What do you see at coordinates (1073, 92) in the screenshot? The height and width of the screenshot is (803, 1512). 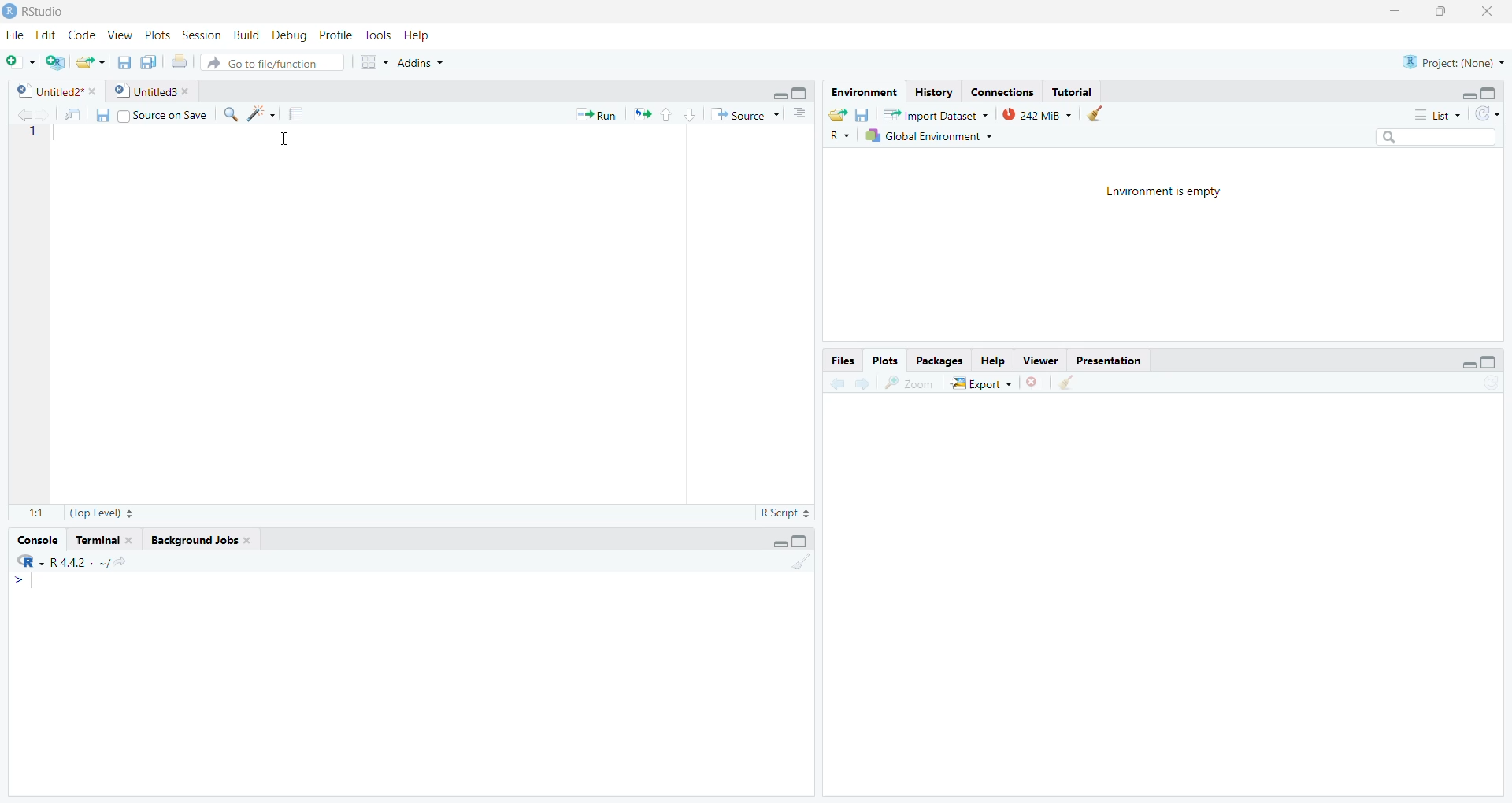 I see `Tutorial` at bounding box center [1073, 92].